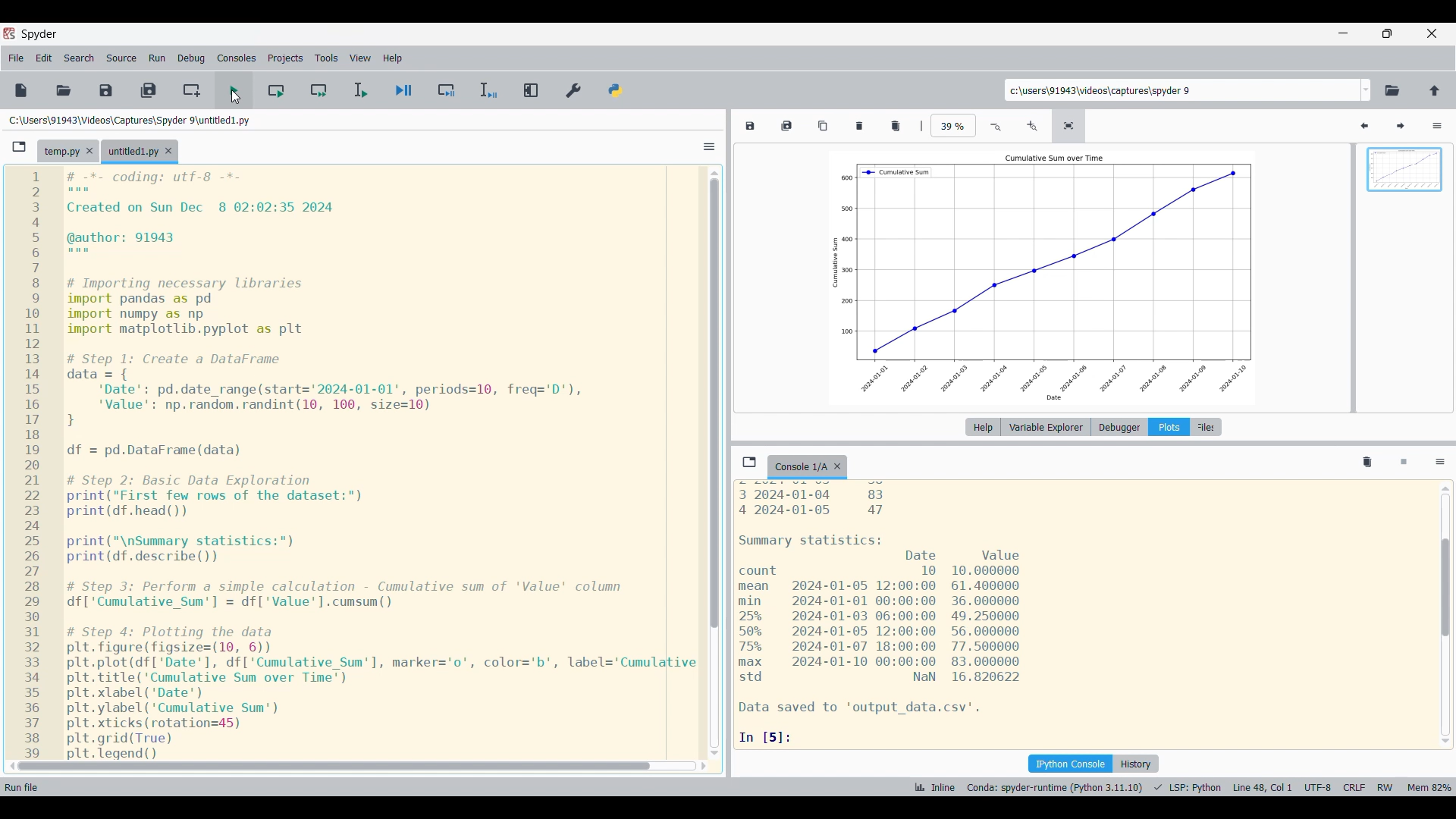 The width and height of the screenshot is (1456, 819). Describe the element at coordinates (1367, 463) in the screenshot. I see `Remove all variables from namespace` at that location.